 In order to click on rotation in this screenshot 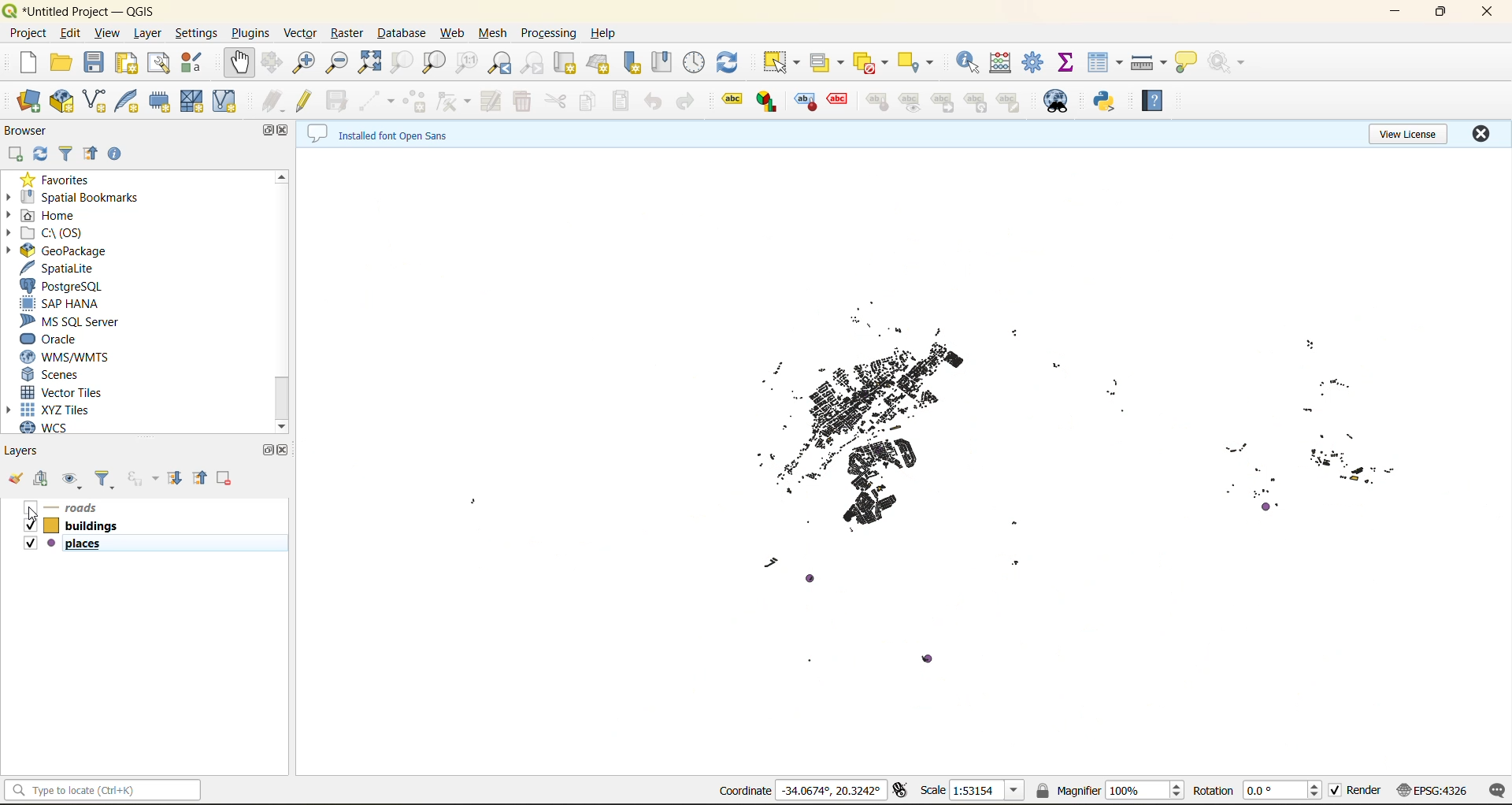, I will do `click(1259, 793)`.